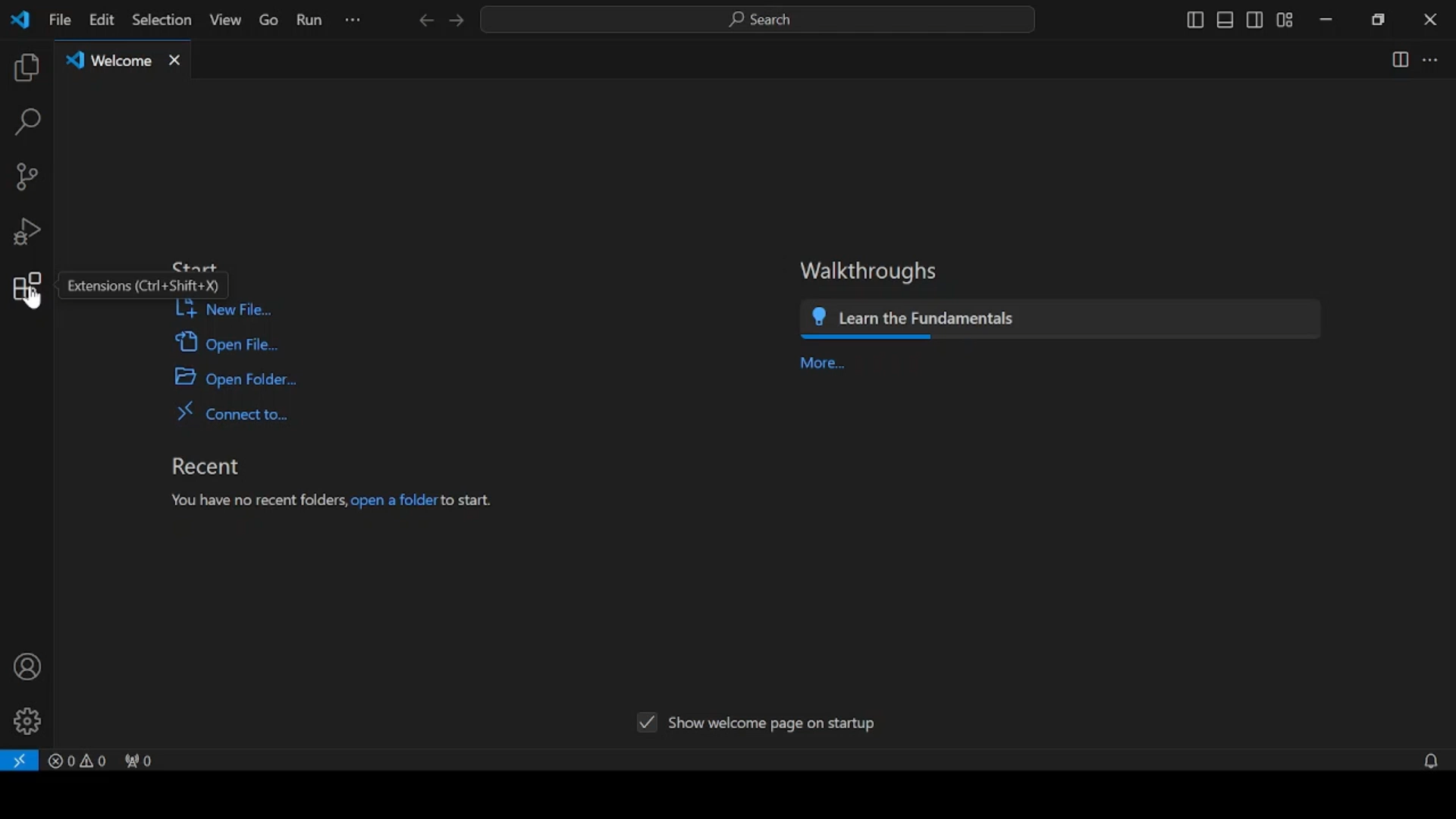 Image resolution: width=1456 pixels, height=819 pixels. Describe the element at coordinates (25, 232) in the screenshot. I see `run and debug` at that location.